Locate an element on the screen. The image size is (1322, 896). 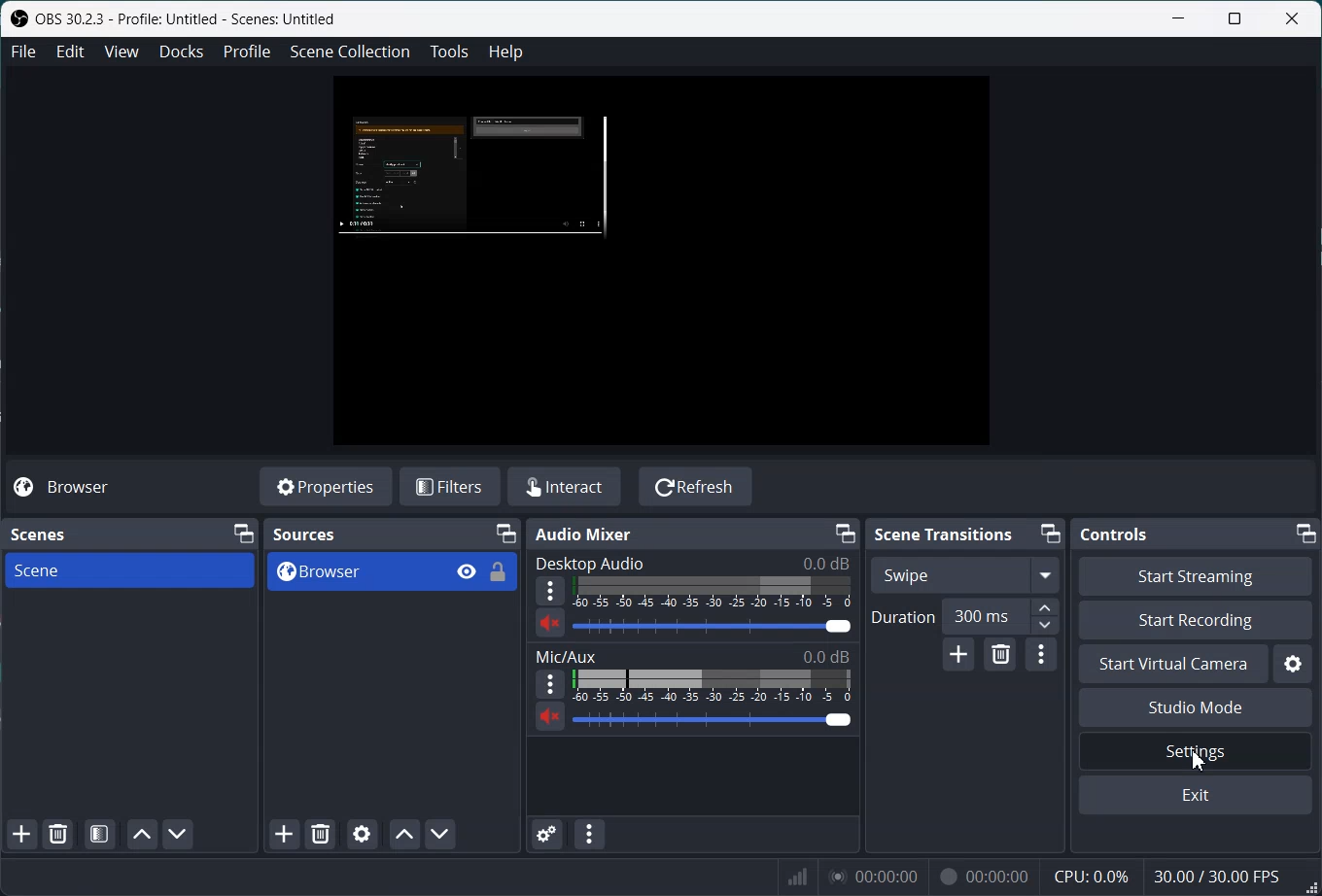
Volume Indicator is located at coordinates (714, 593).